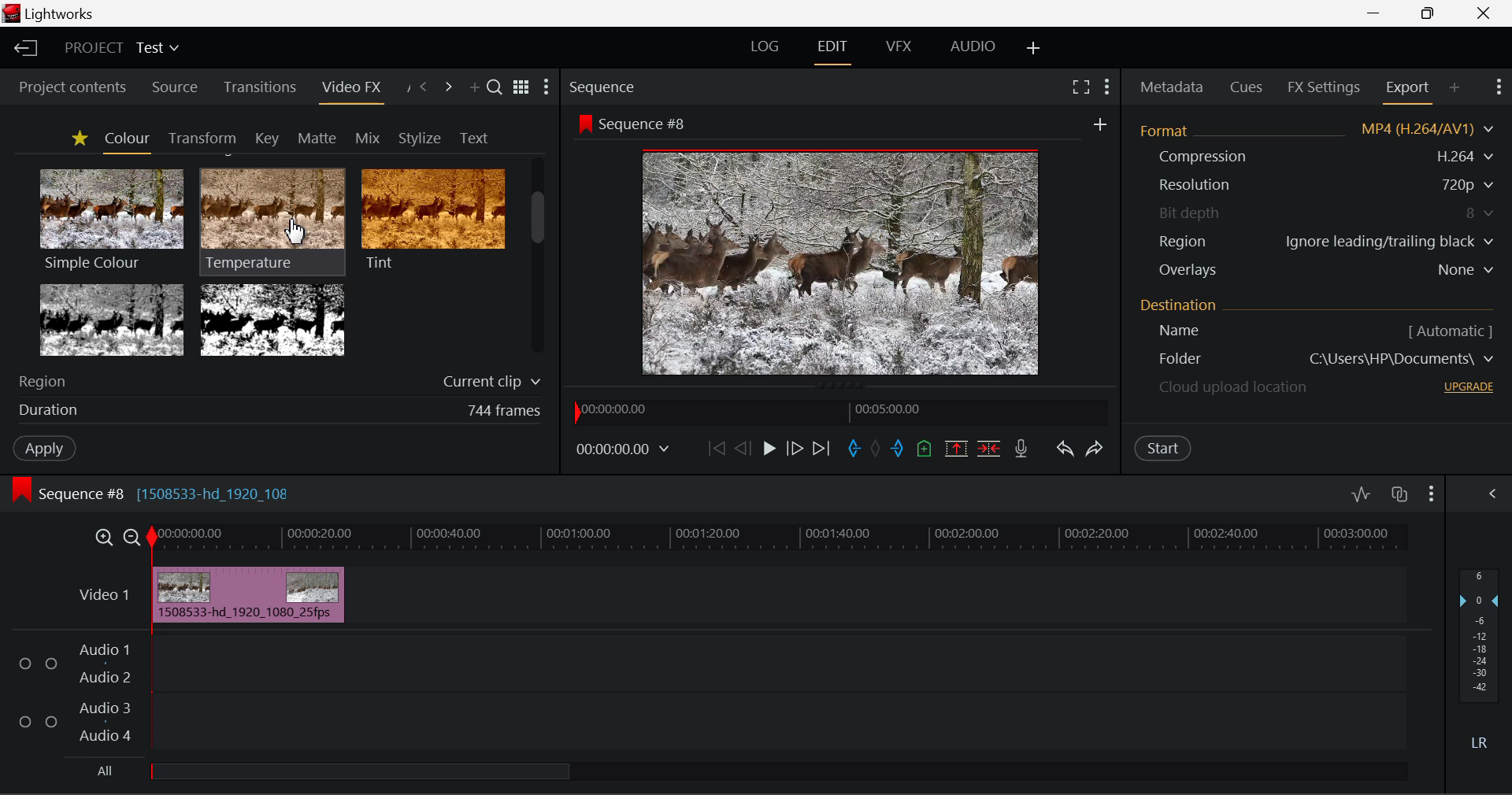  What do you see at coordinates (832, 51) in the screenshot?
I see `EDIT Layout` at bounding box center [832, 51].